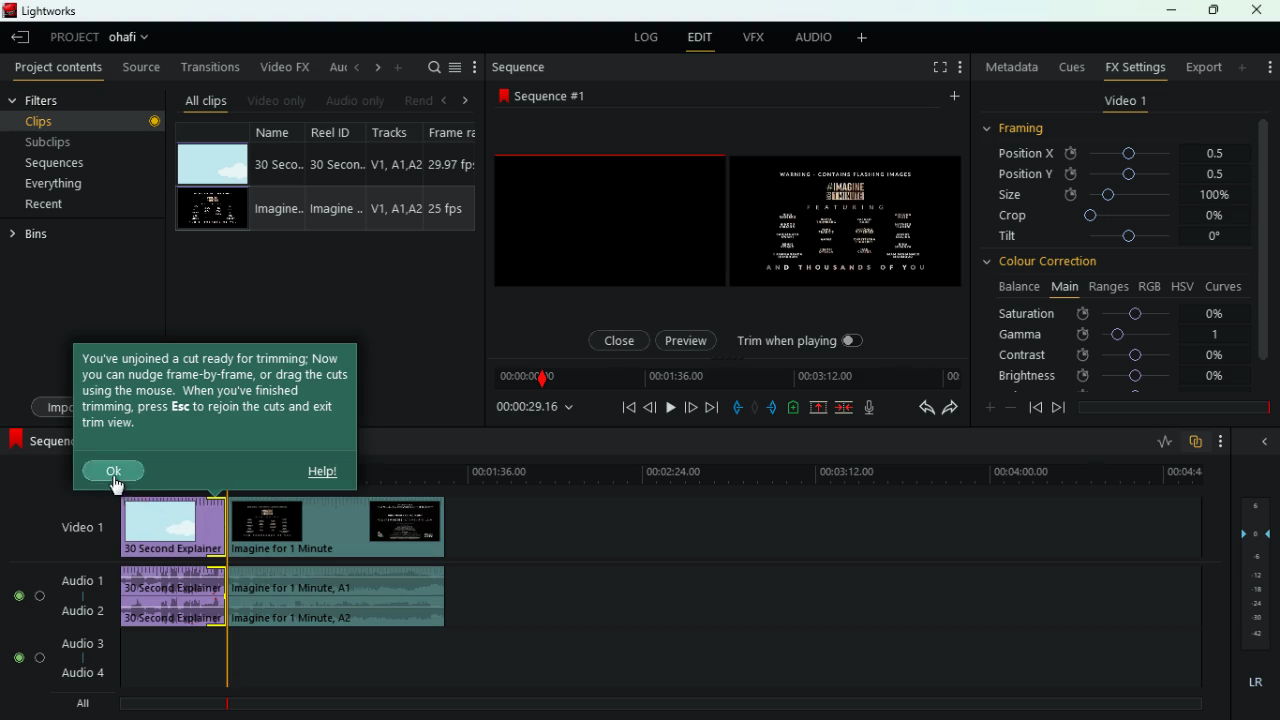  I want to click on preview, so click(686, 338).